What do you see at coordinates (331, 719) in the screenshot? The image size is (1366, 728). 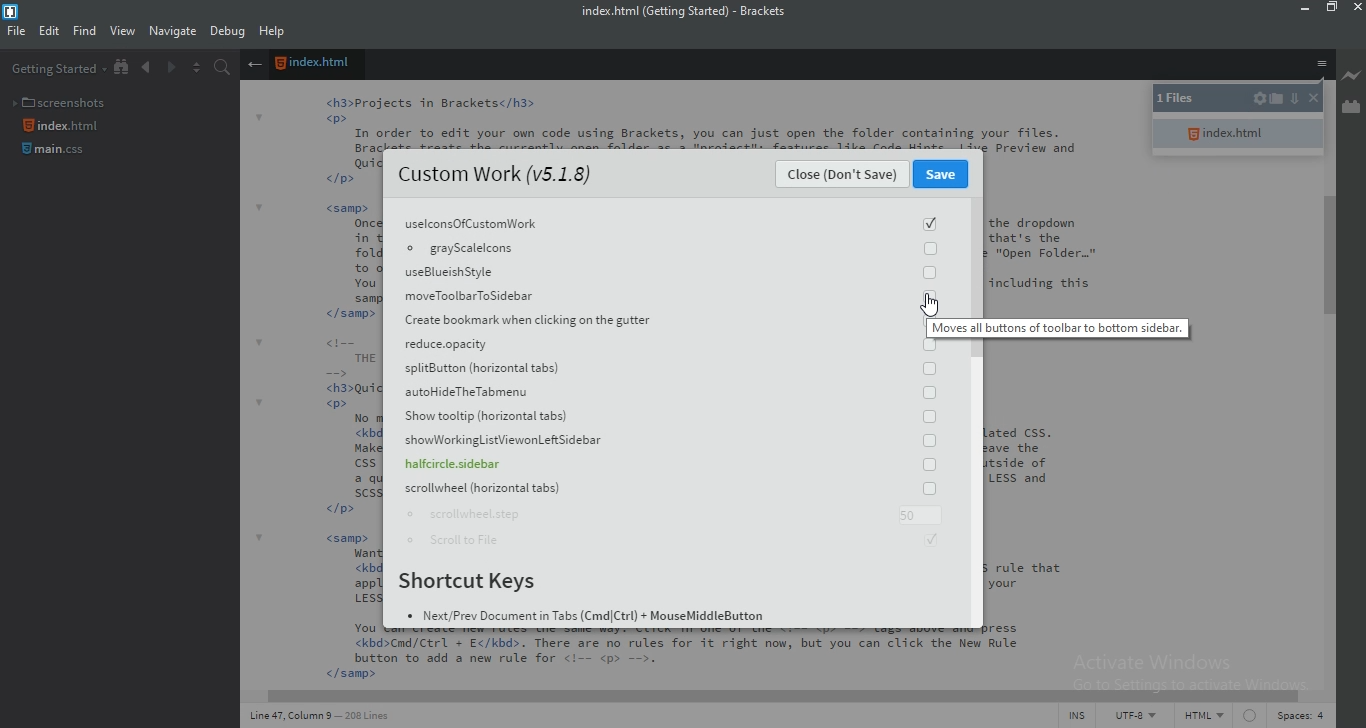 I see `live code data` at bounding box center [331, 719].